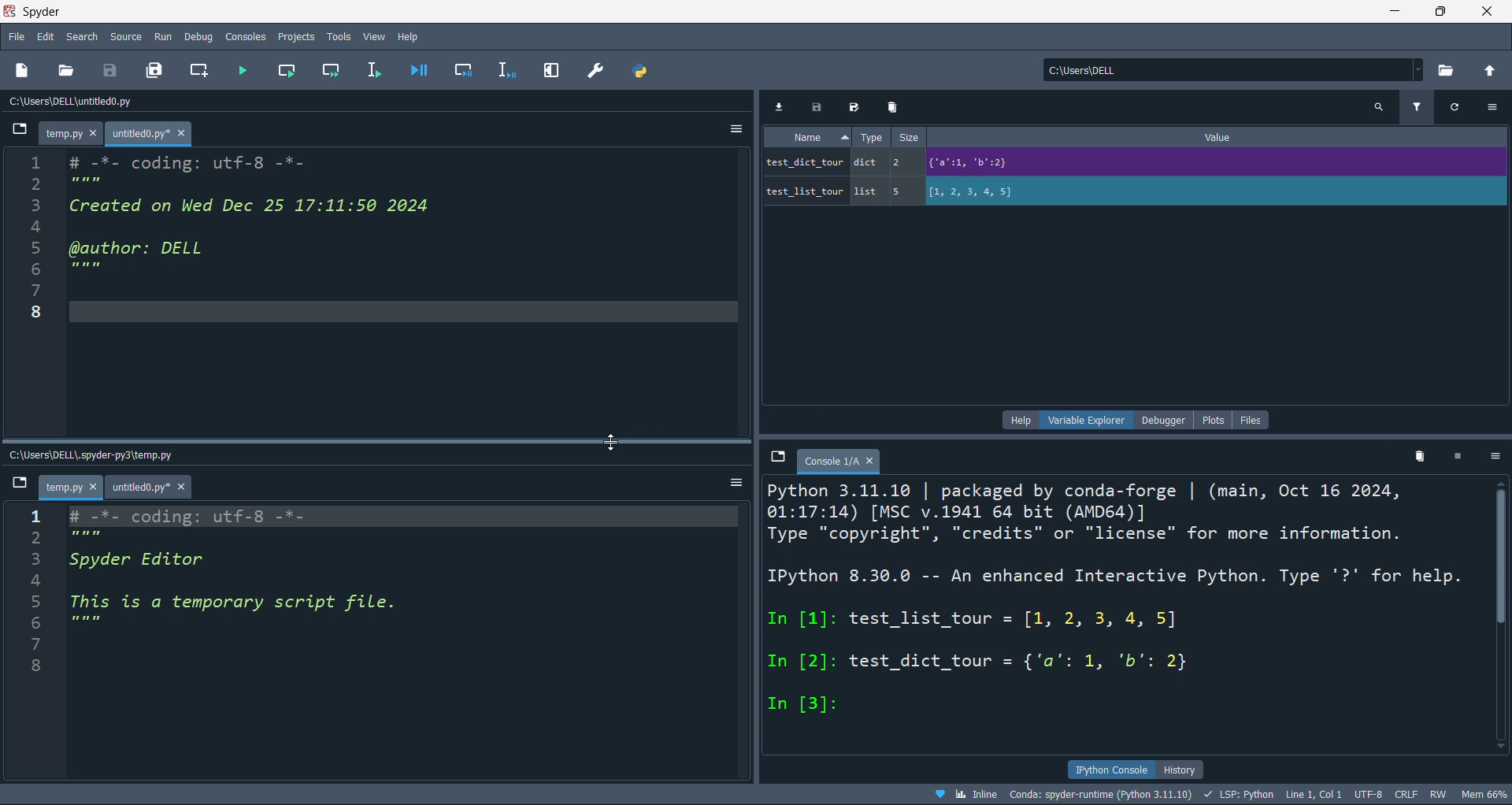 Image resolution: width=1512 pixels, height=805 pixels. What do you see at coordinates (44, 289) in the screenshot?
I see `7` at bounding box center [44, 289].